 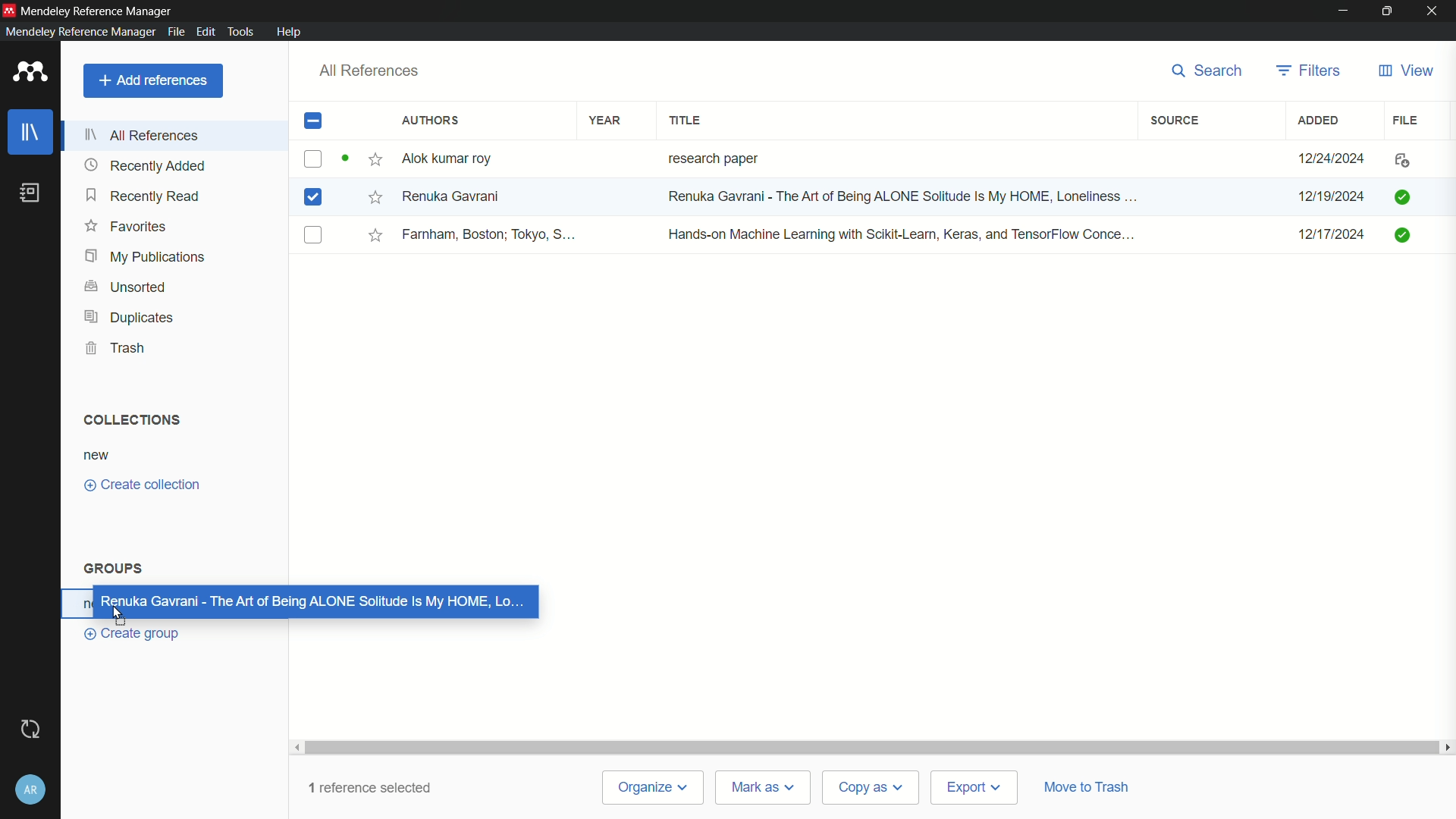 What do you see at coordinates (1334, 158) in the screenshot?
I see `Date` at bounding box center [1334, 158].